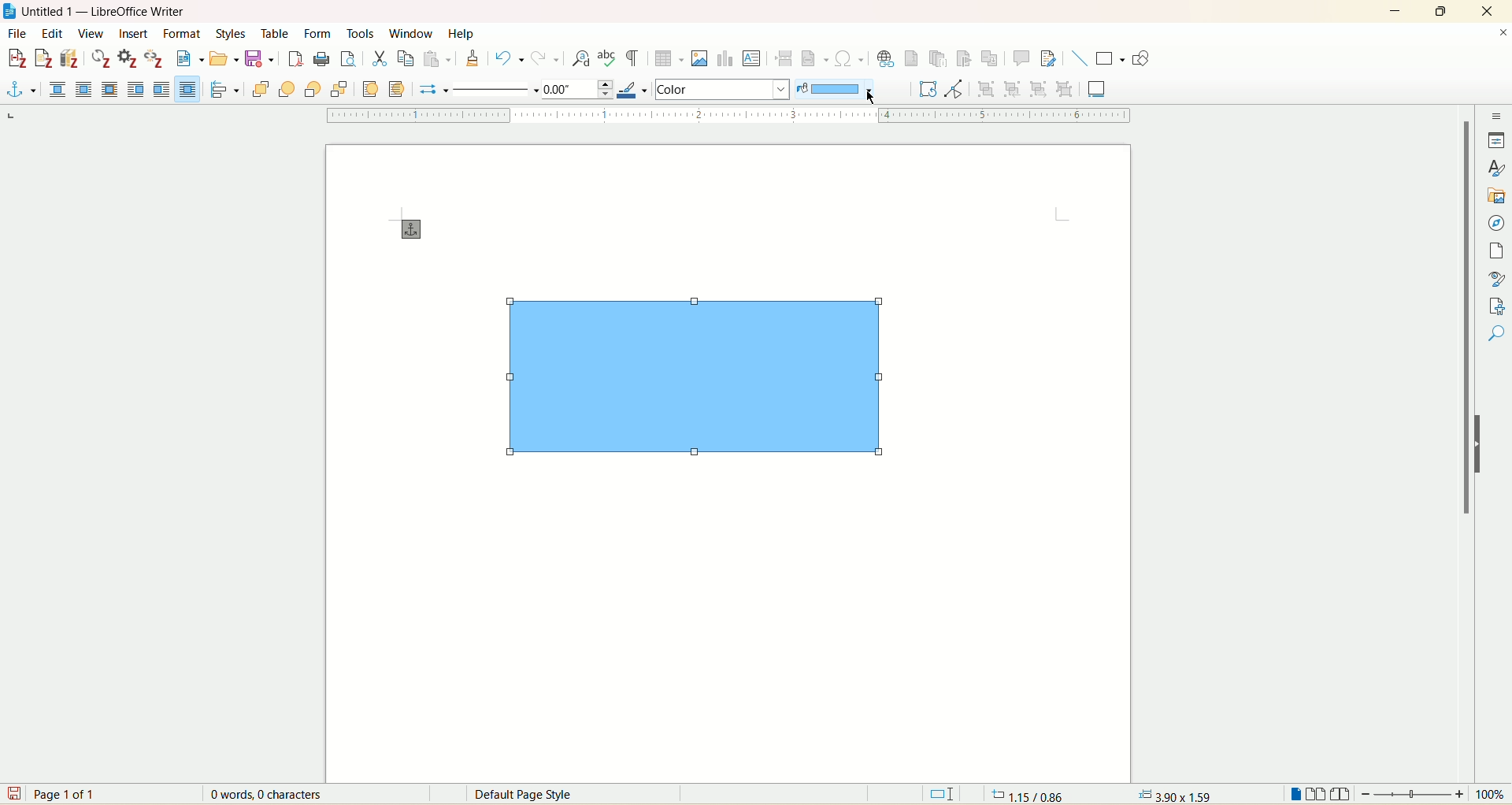 The height and width of the screenshot is (805, 1512). What do you see at coordinates (369, 88) in the screenshot?
I see `to foreground` at bounding box center [369, 88].